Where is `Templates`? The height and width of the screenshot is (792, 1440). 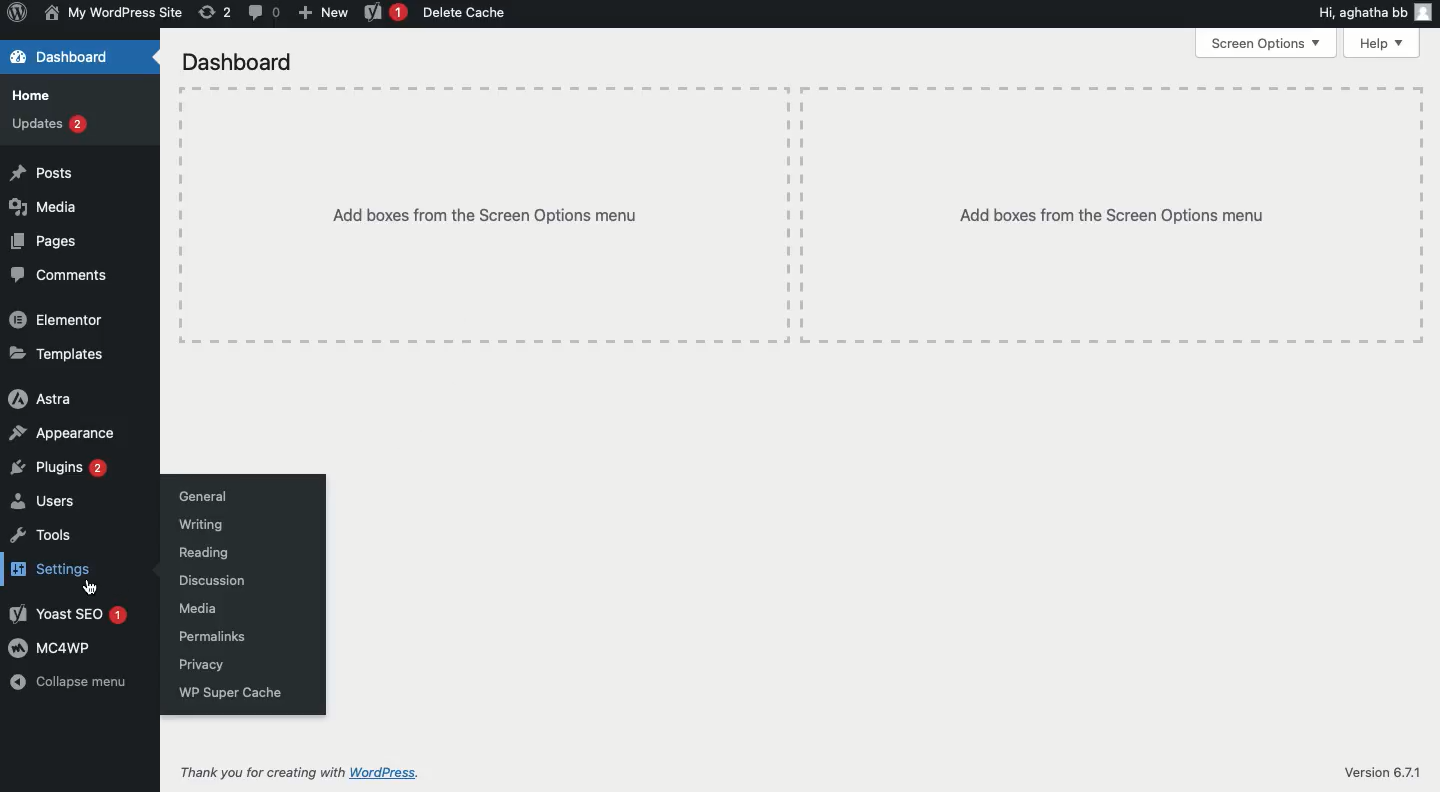 Templates is located at coordinates (57, 353).